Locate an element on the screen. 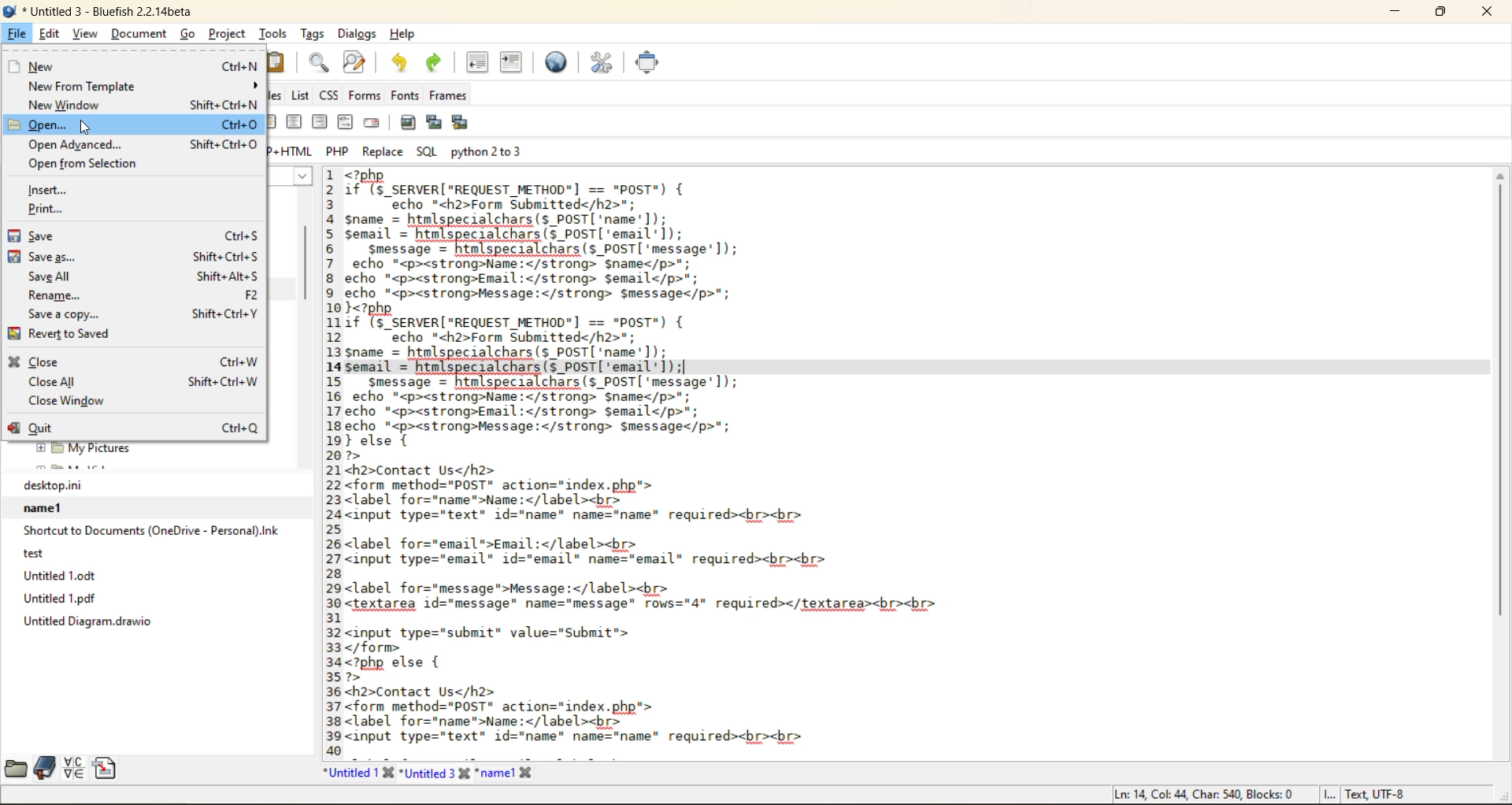 The image size is (1512, 805). save a copy is located at coordinates (144, 313).